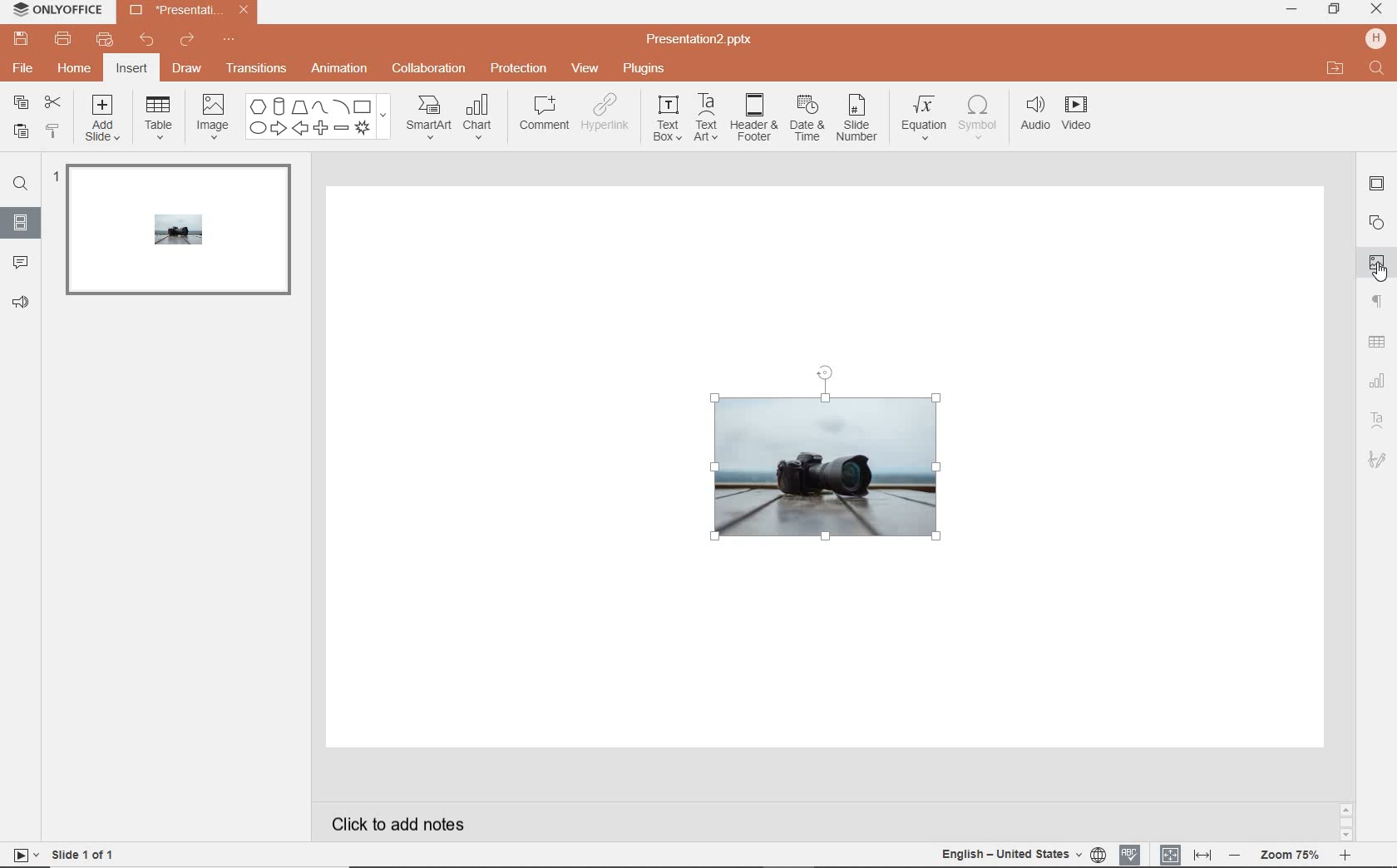 This screenshot has height=868, width=1397. What do you see at coordinates (1376, 341) in the screenshot?
I see `table settings` at bounding box center [1376, 341].